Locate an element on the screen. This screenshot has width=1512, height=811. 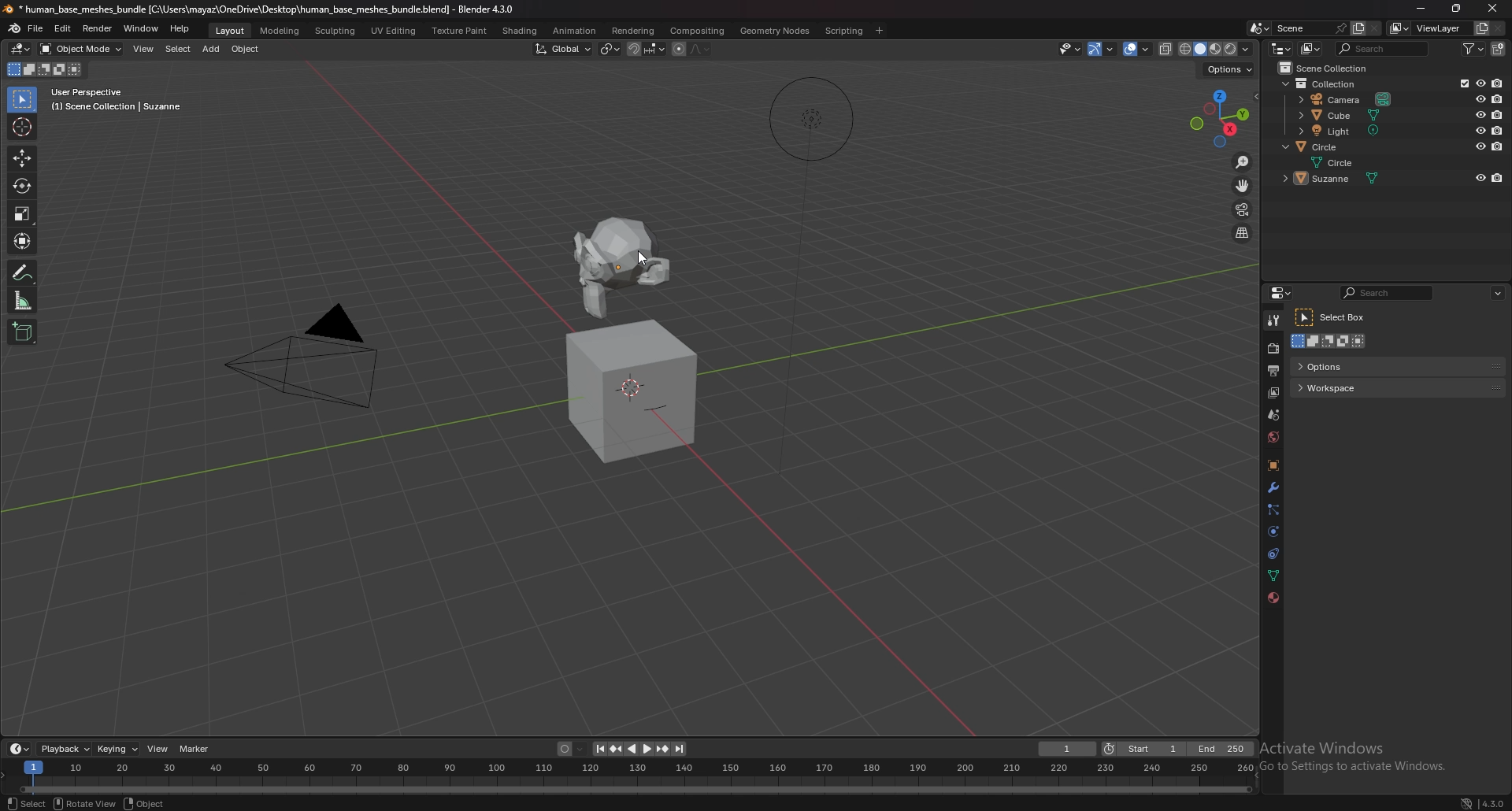
hide in viewport is located at coordinates (1479, 83).